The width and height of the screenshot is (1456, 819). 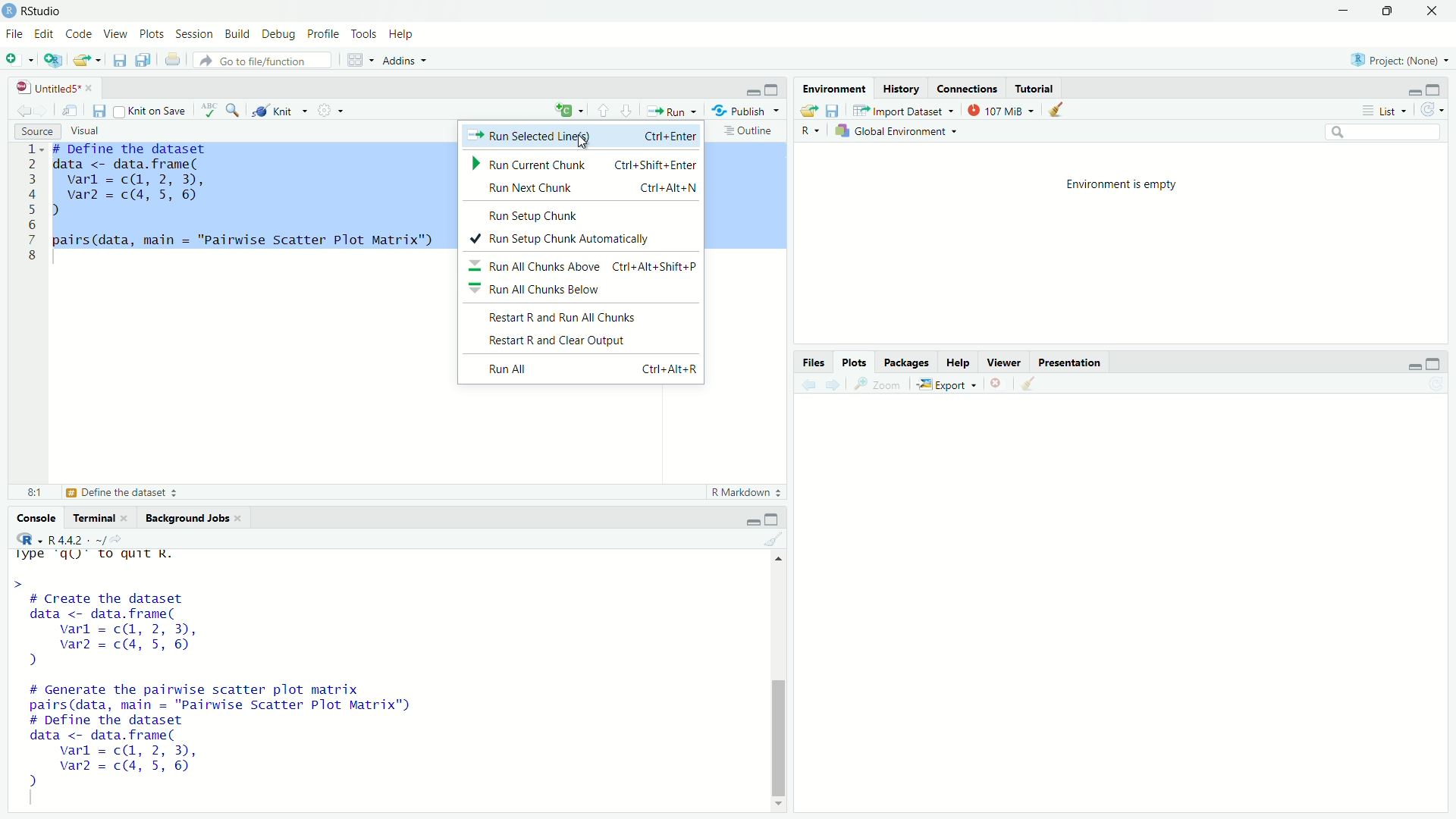 I want to click on Environment, so click(x=832, y=86).